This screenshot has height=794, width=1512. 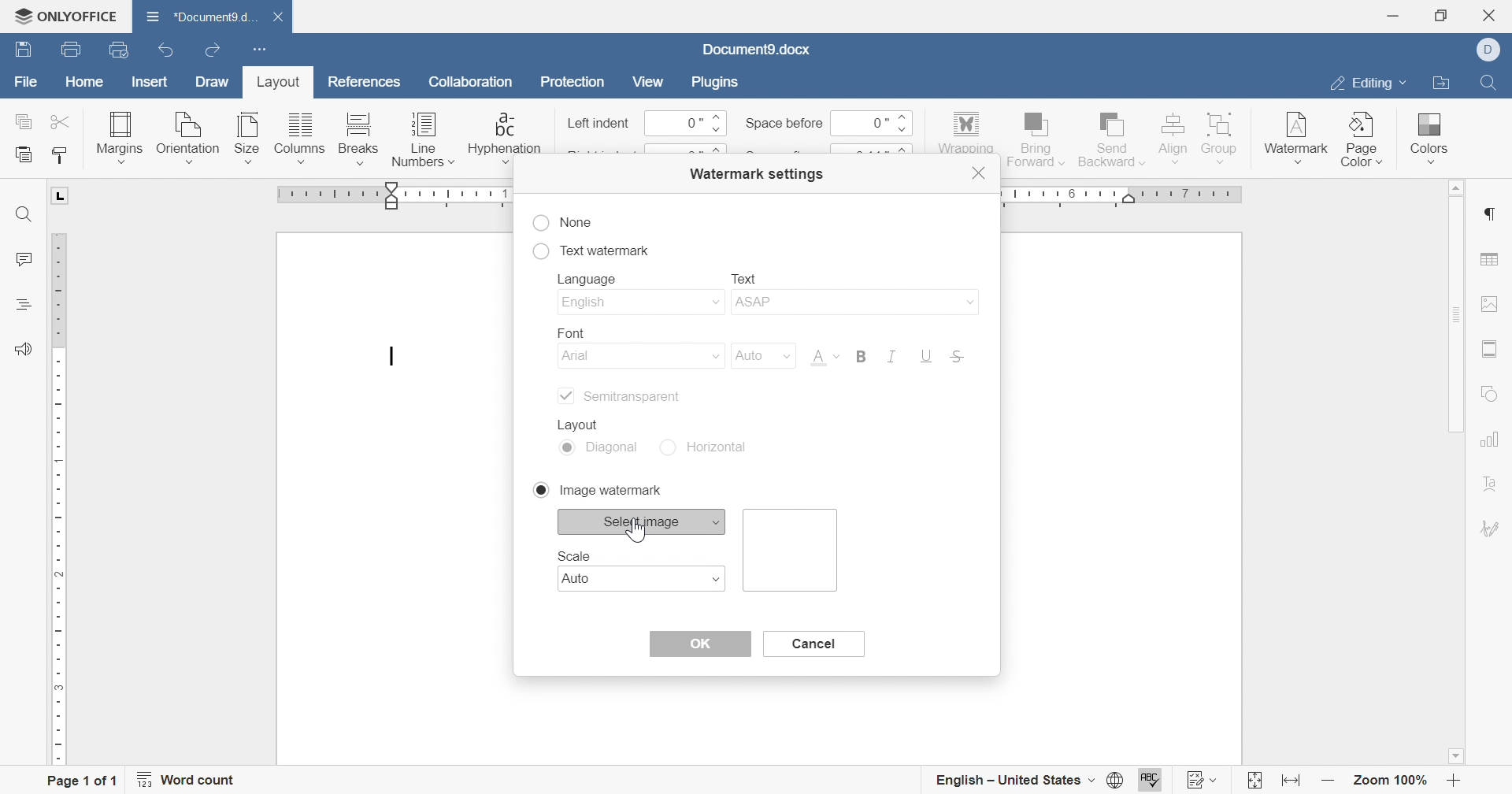 I want to click on breaks, so click(x=355, y=139).